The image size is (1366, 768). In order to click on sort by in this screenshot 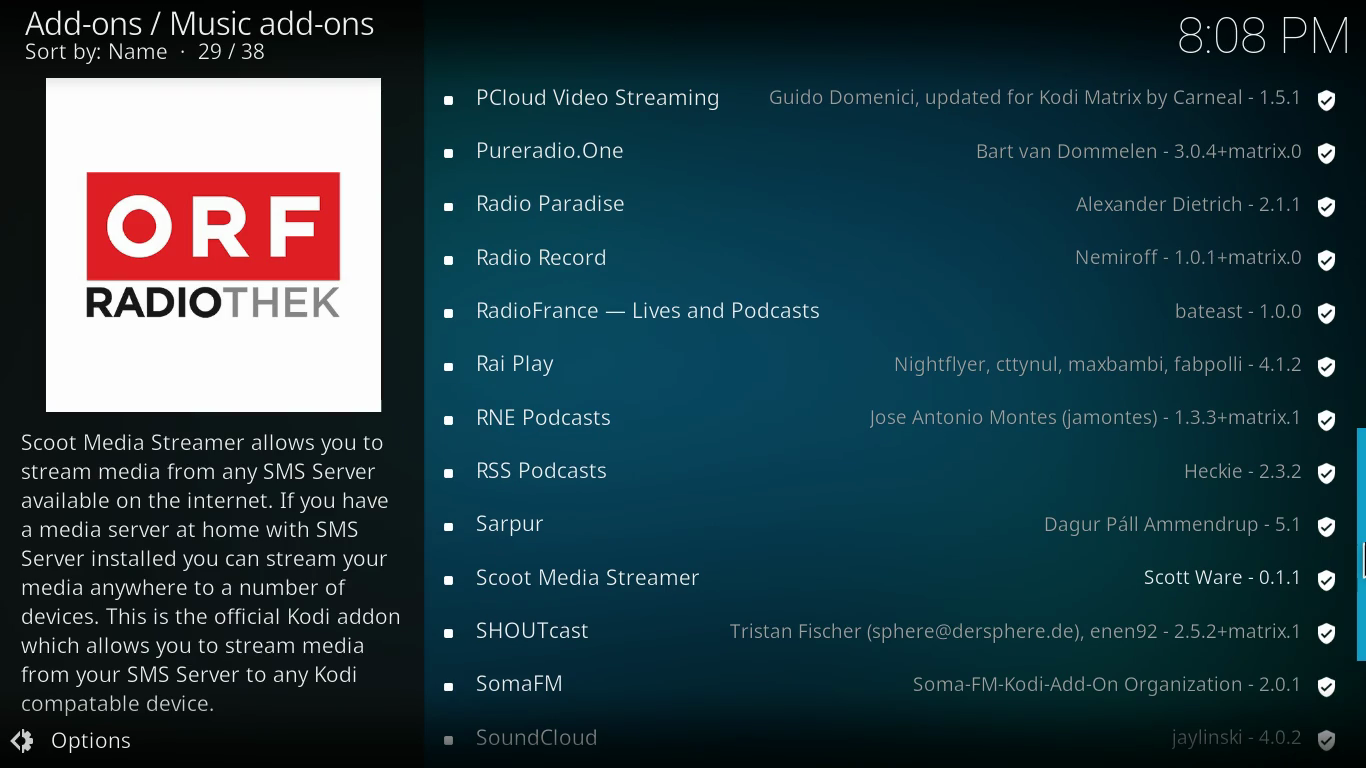, I will do `click(153, 54)`.